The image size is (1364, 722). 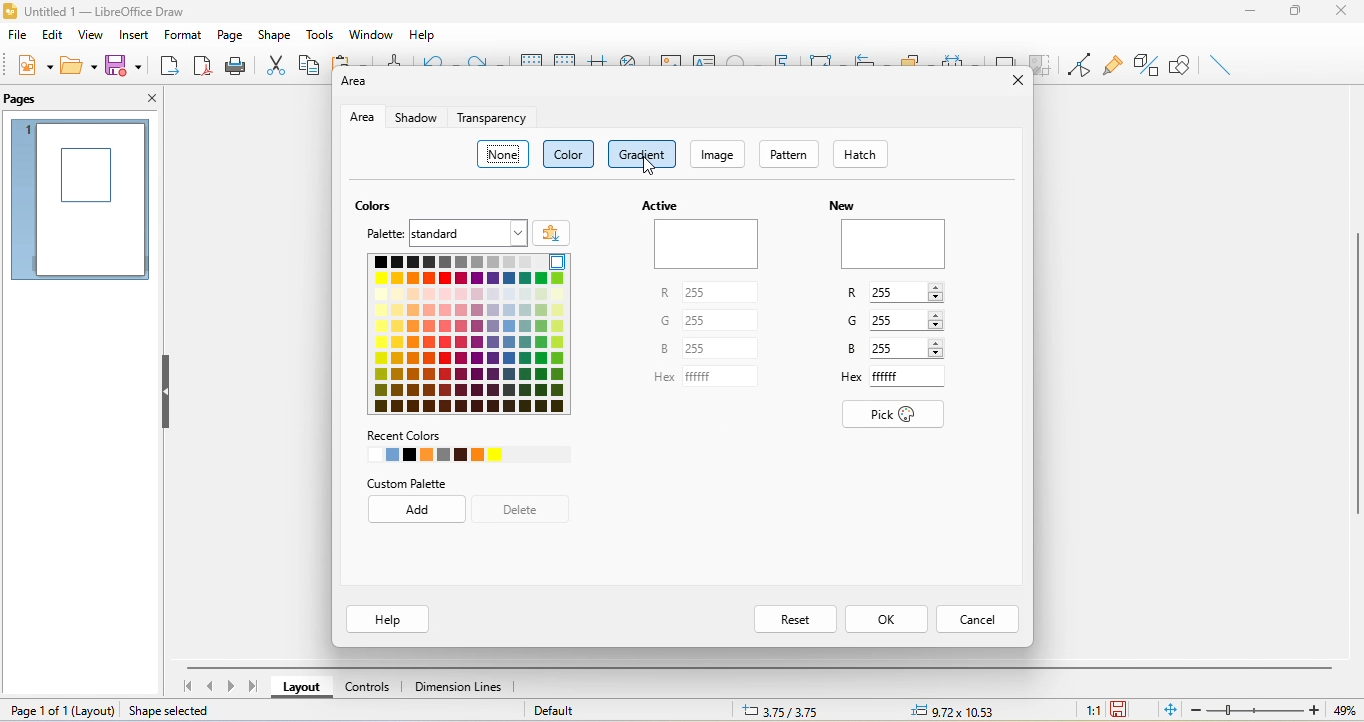 What do you see at coordinates (93, 38) in the screenshot?
I see `view` at bounding box center [93, 38].